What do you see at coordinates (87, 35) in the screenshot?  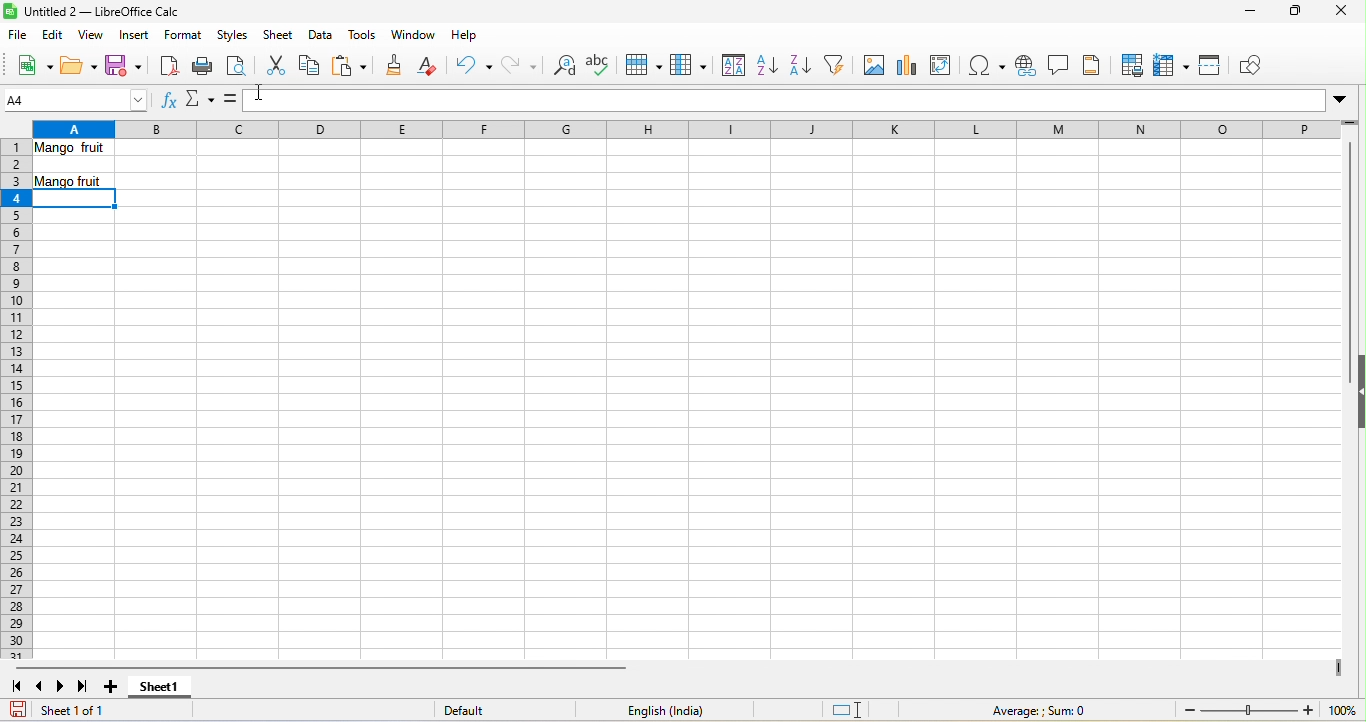 I see `view` at bounding box center [87, 35].